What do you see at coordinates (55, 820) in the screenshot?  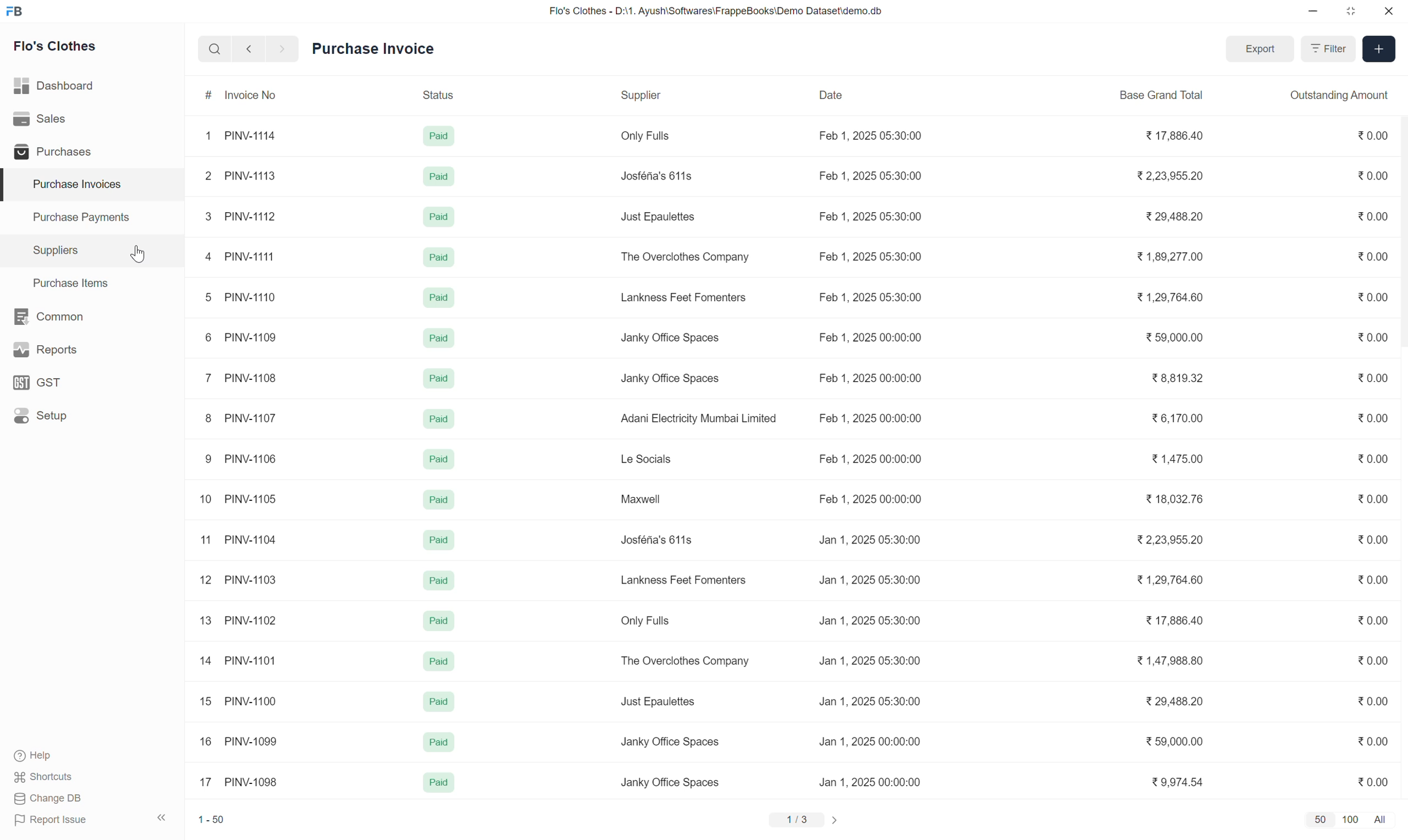 I see `Report issue` at bounding box center [55, 820].